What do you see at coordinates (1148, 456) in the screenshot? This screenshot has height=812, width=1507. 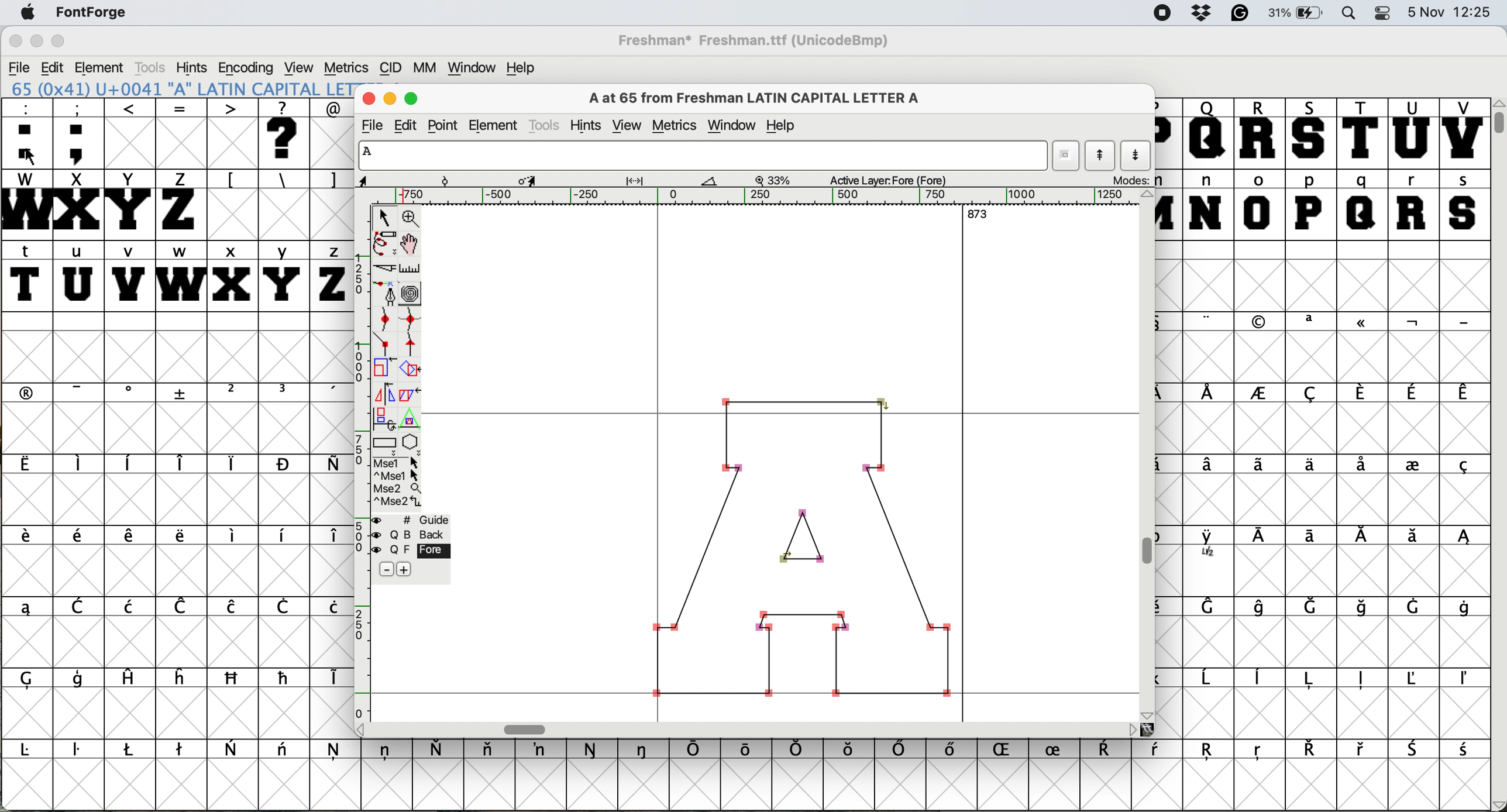 I see `vertical scroll bar` at bounding box center [1148, 456].